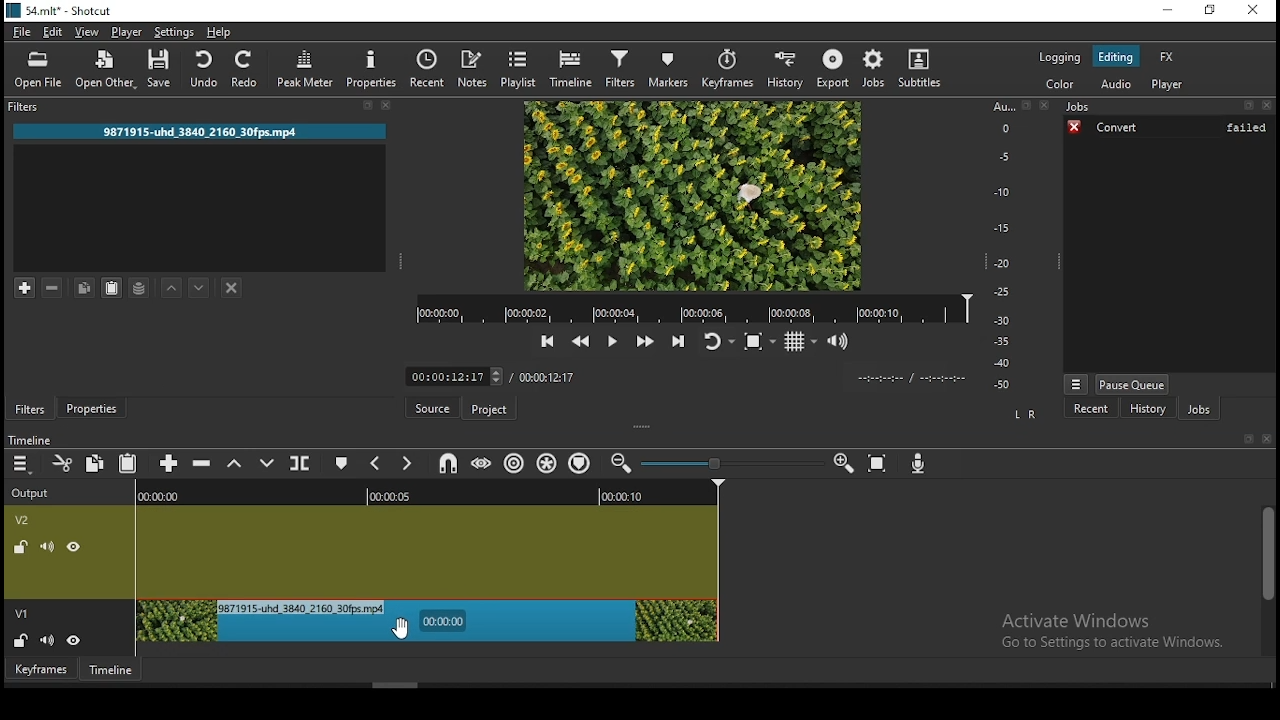 The width and height of the screenshot is (1280, 720). Describe the element at coordinates (23, 548) in the screenshot. I see `(un)locked` at that location.